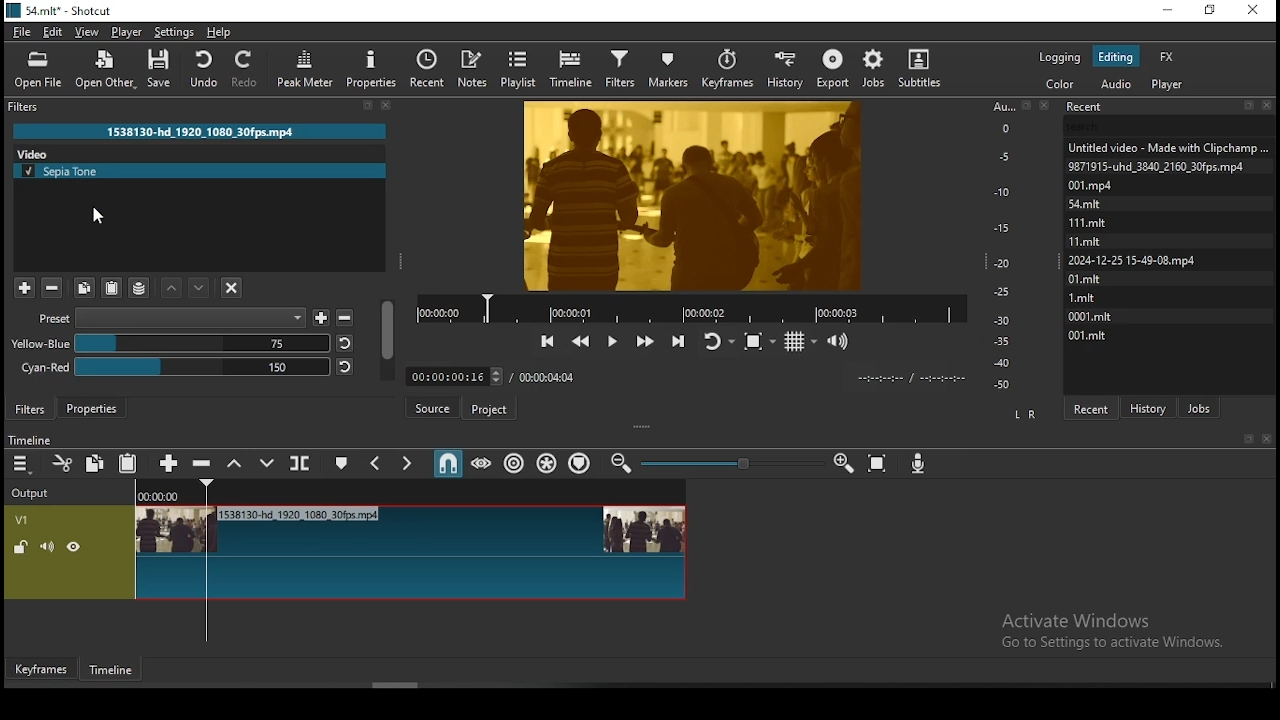 This screenshot has height=720, width=1280. I want to click on scrub while dragging, so click(479, 463).